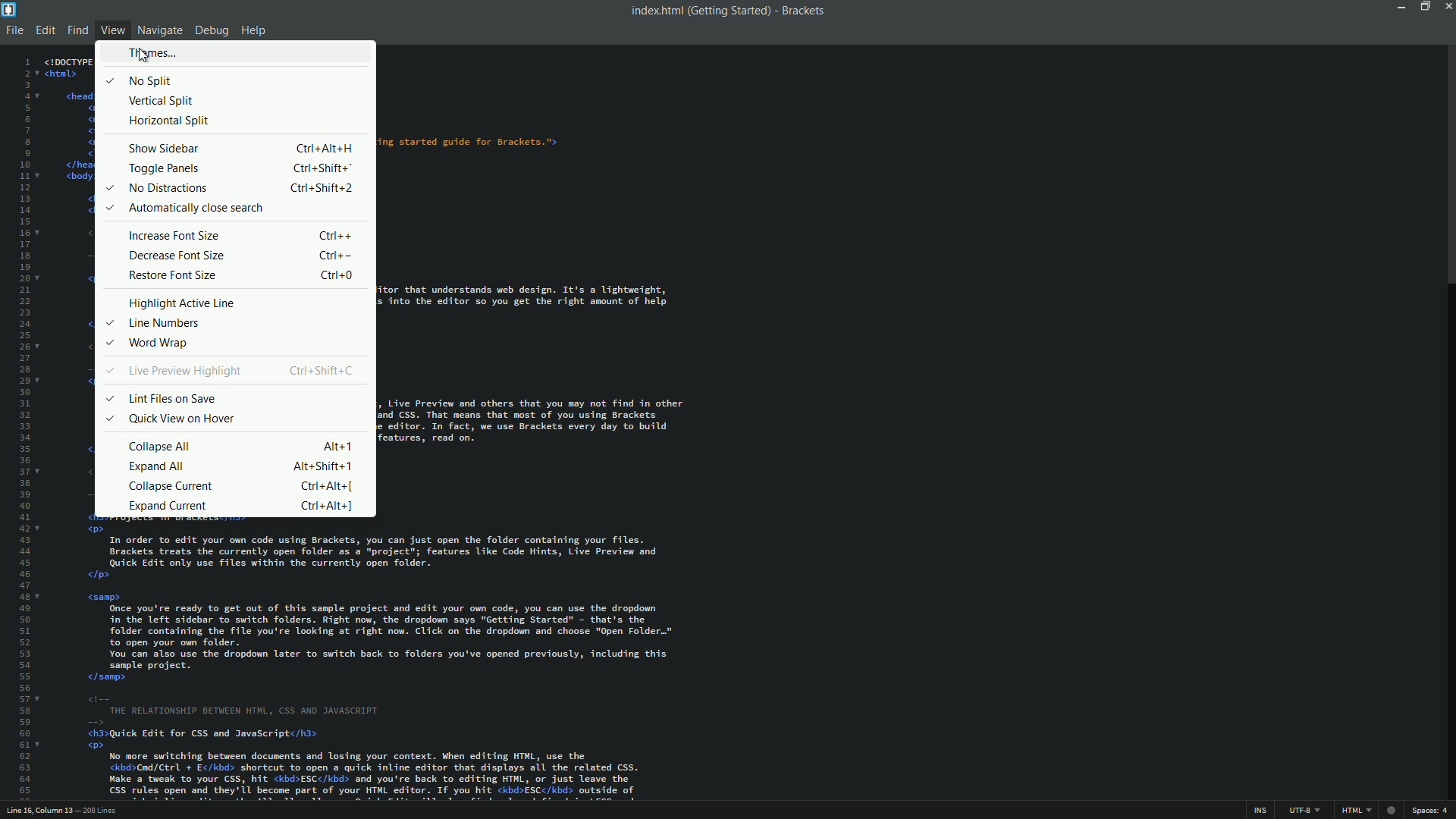 Image resolution: width=1456 pixels, height=819 pixels. Describe the element at coordinates (1304, 811) in the screenshot. I see `file encoding` at that location.